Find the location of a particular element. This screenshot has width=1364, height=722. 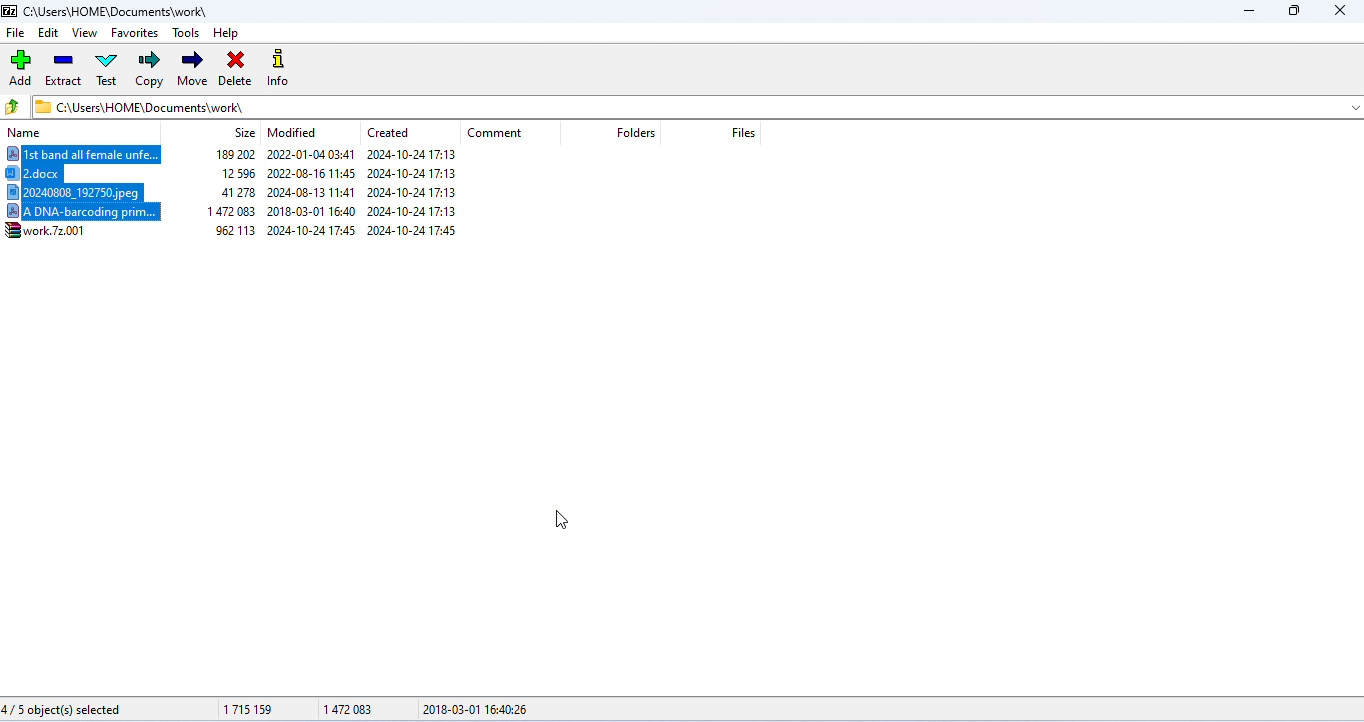

files is located at coordinates (744, 133).